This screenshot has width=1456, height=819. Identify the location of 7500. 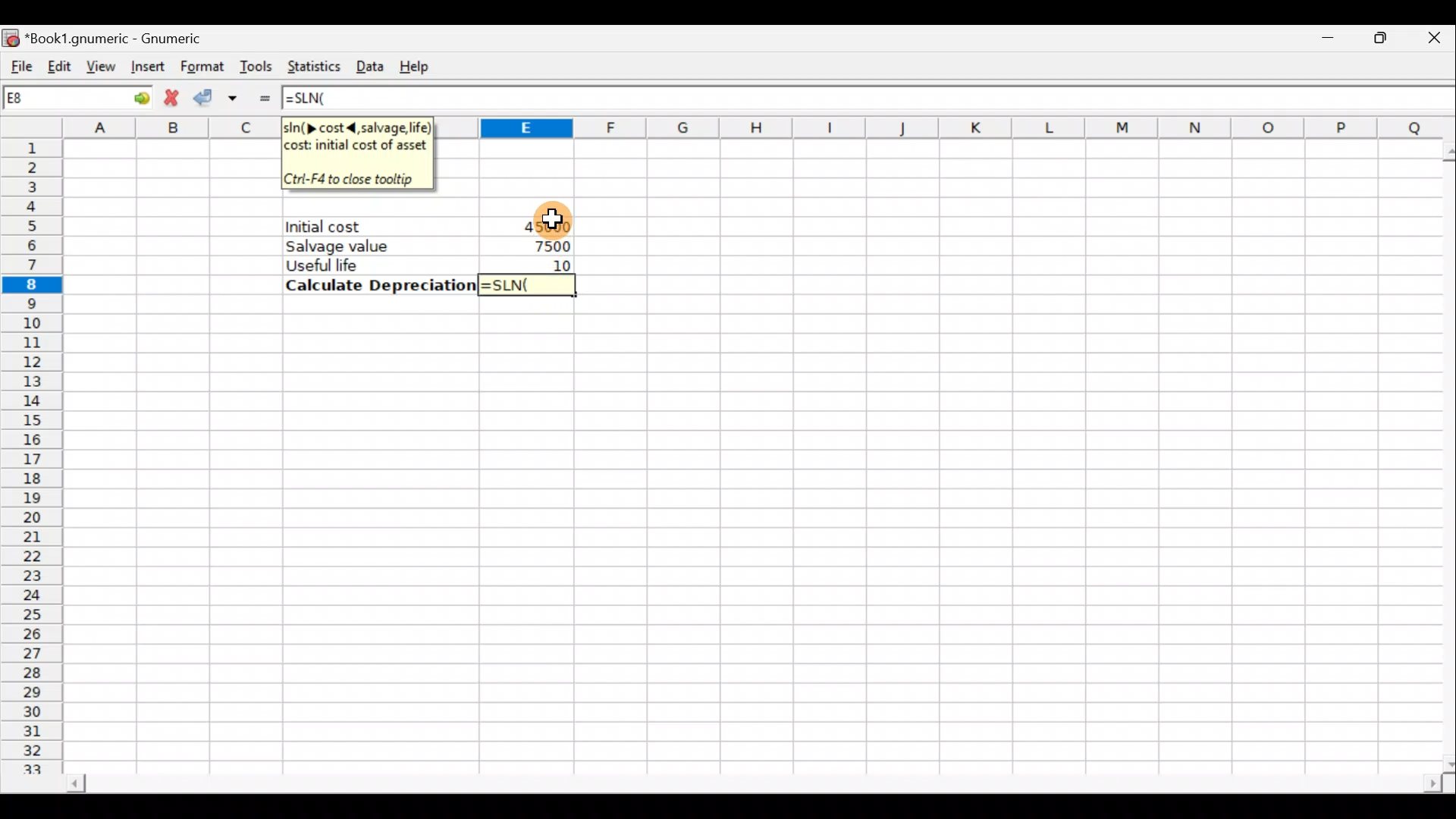
(545, 246).